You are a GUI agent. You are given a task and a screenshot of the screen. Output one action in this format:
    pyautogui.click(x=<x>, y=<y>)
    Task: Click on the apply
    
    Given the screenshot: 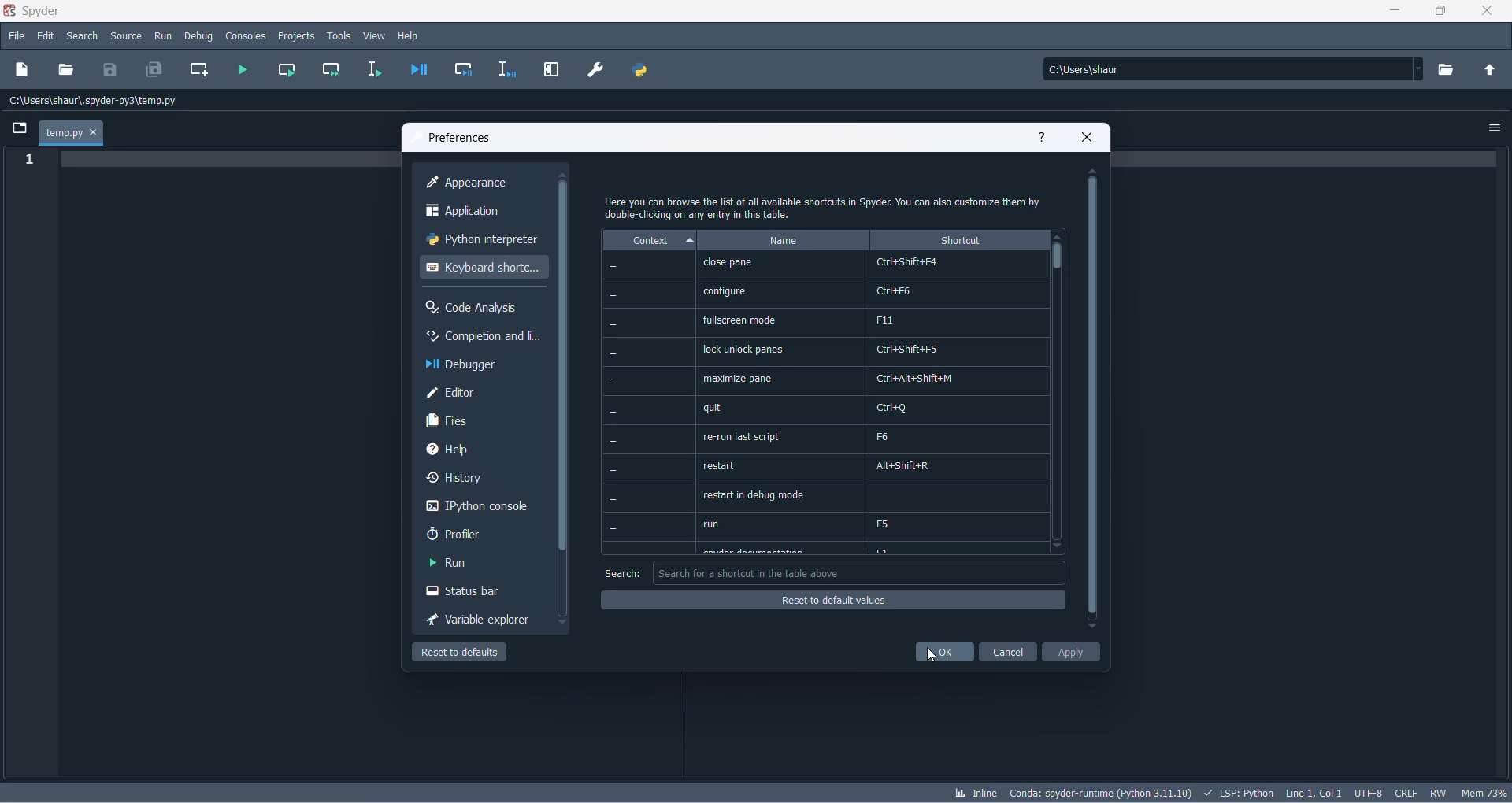 What is the action you would take?
    pyautogui.click(x=1070, y=653)
    